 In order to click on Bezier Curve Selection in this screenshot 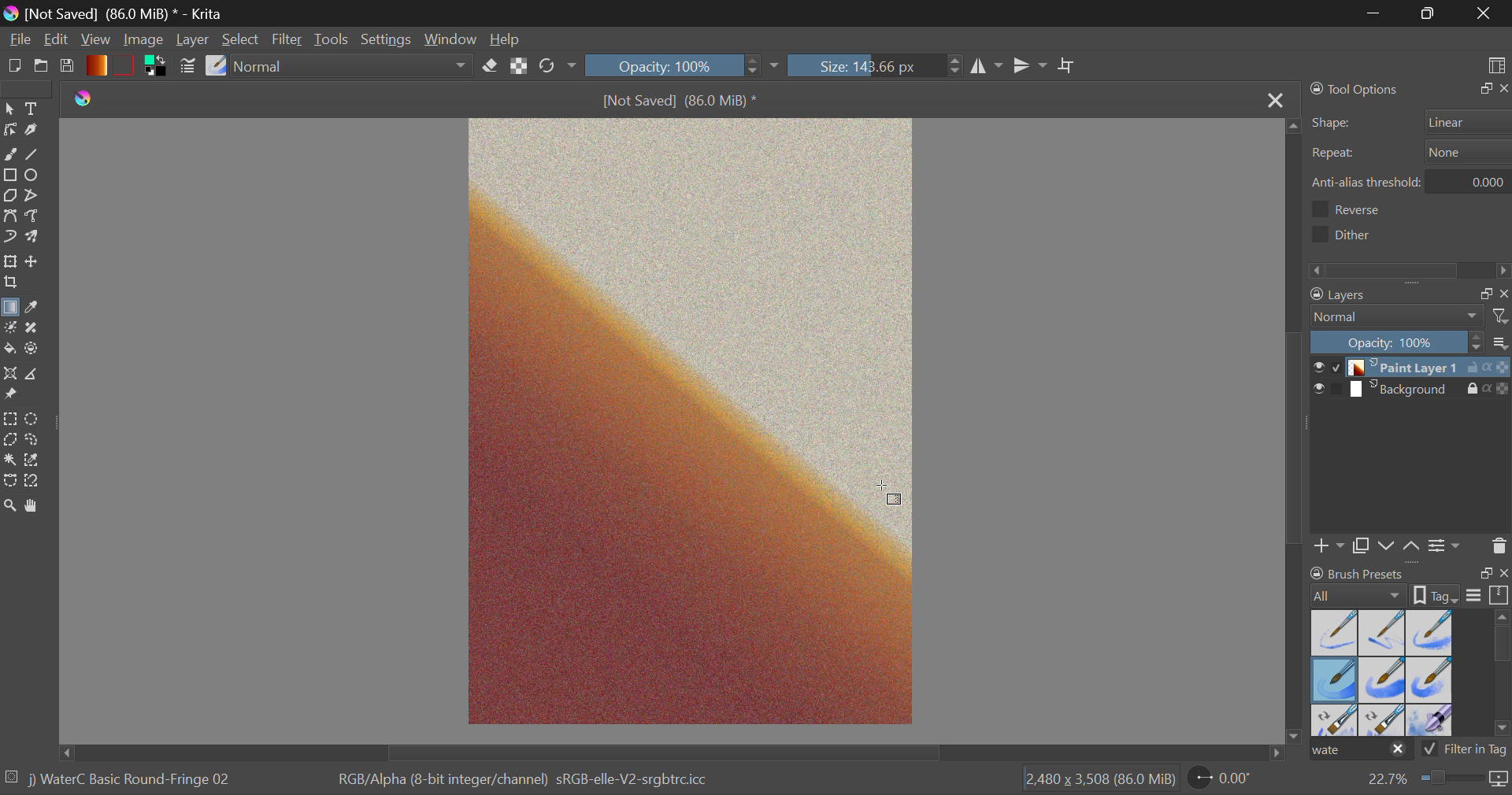, I will do `click(10, 482)`.